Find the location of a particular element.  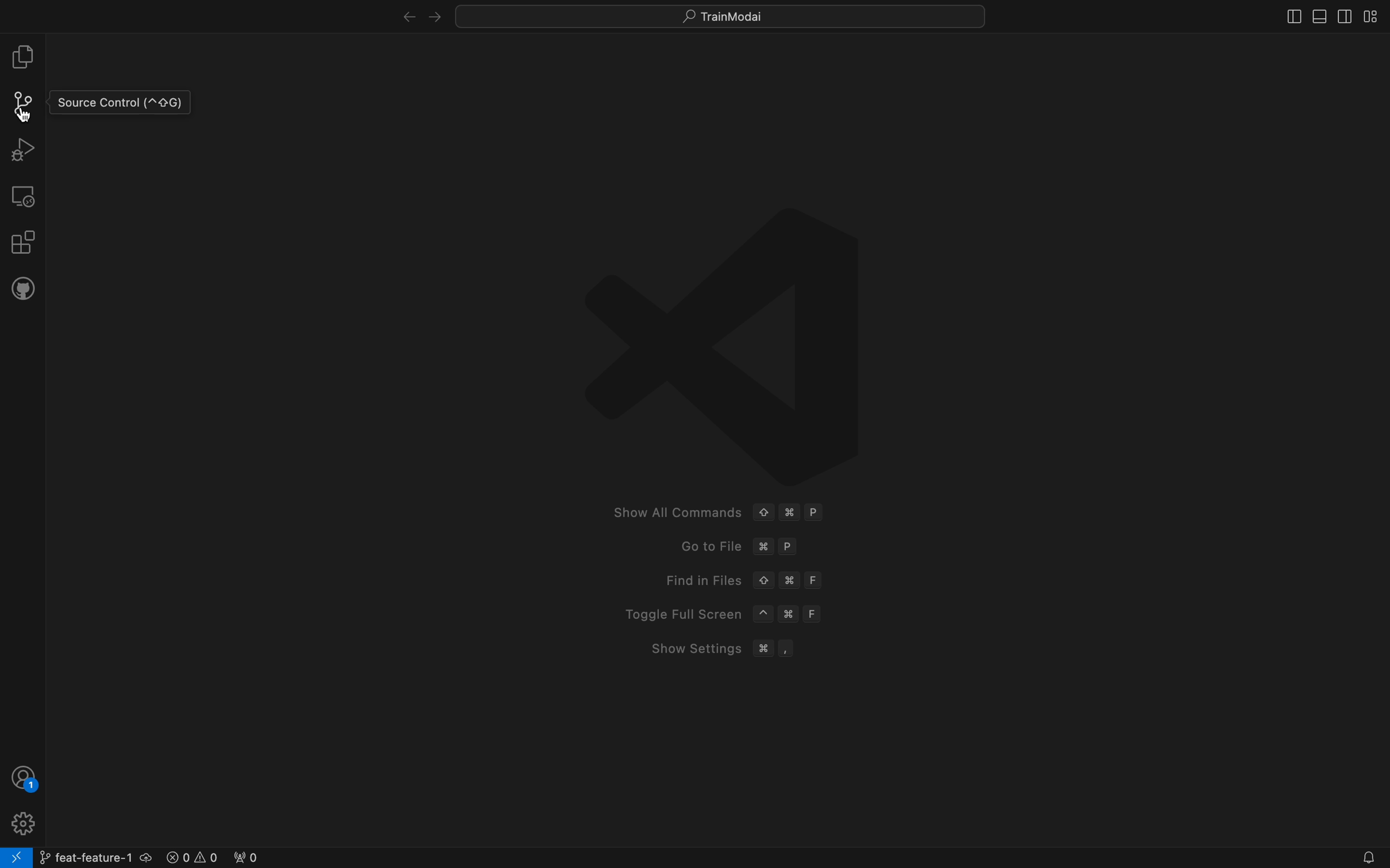

arrows is located at coordinates (416, 15).